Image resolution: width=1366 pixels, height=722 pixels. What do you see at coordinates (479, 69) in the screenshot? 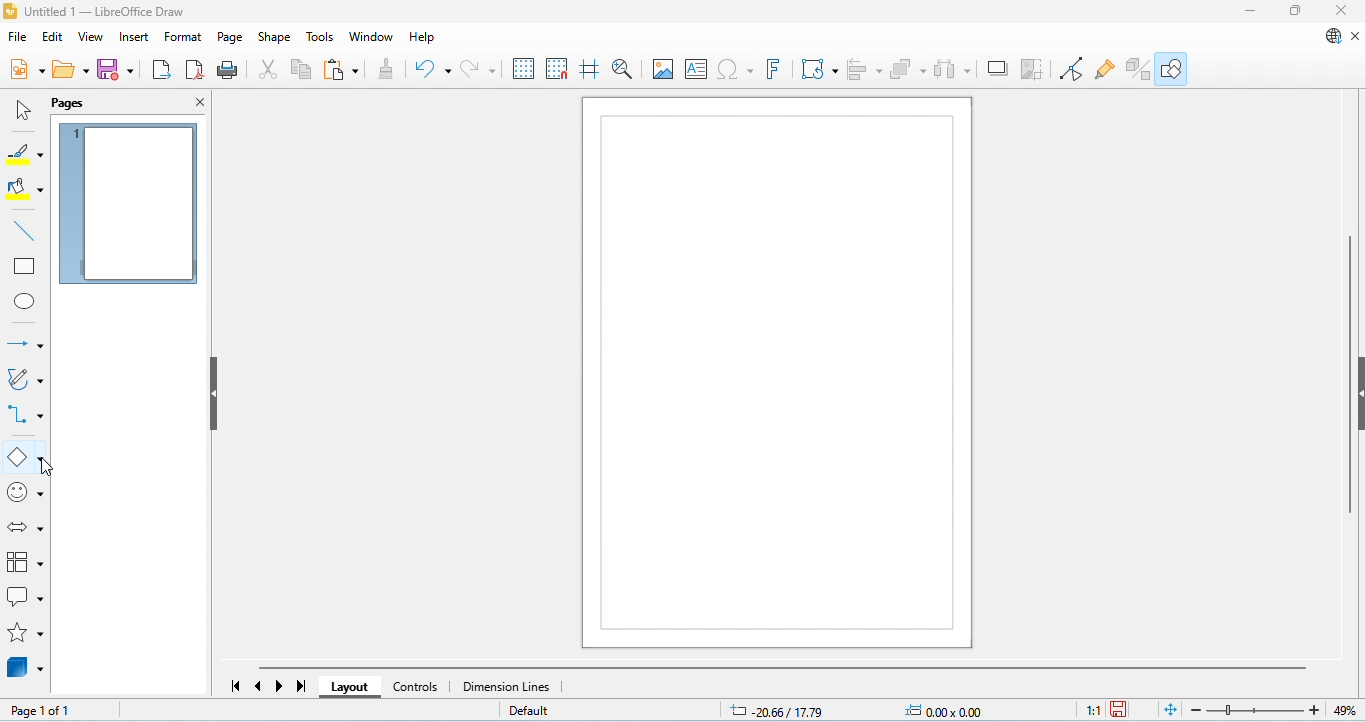
I see `redo` at bounding box center [479, 69].